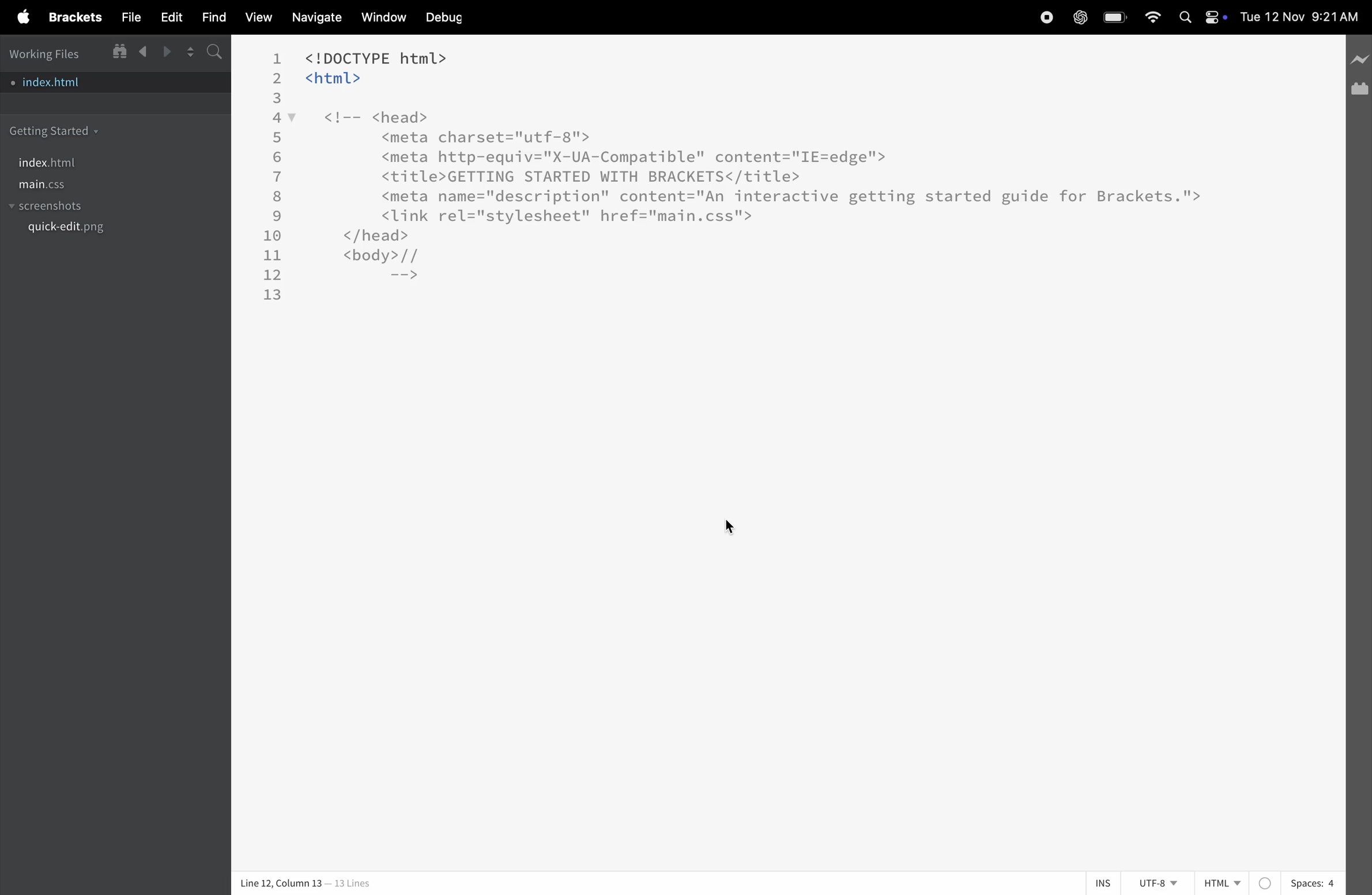 The image size is (1372, 895). I want to click on cursor, so click(734, 526).